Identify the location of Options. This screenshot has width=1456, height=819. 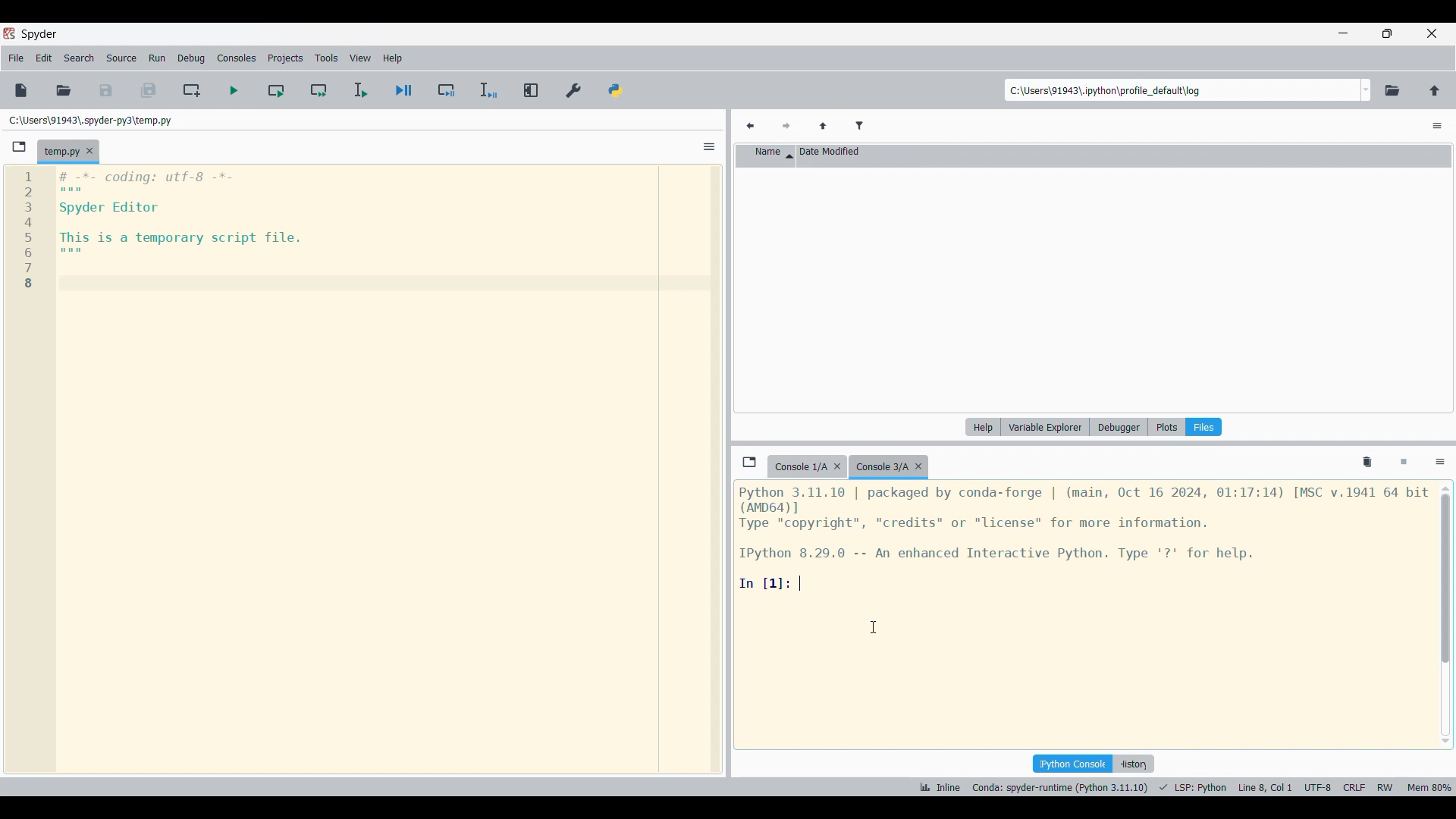
(710, 146).